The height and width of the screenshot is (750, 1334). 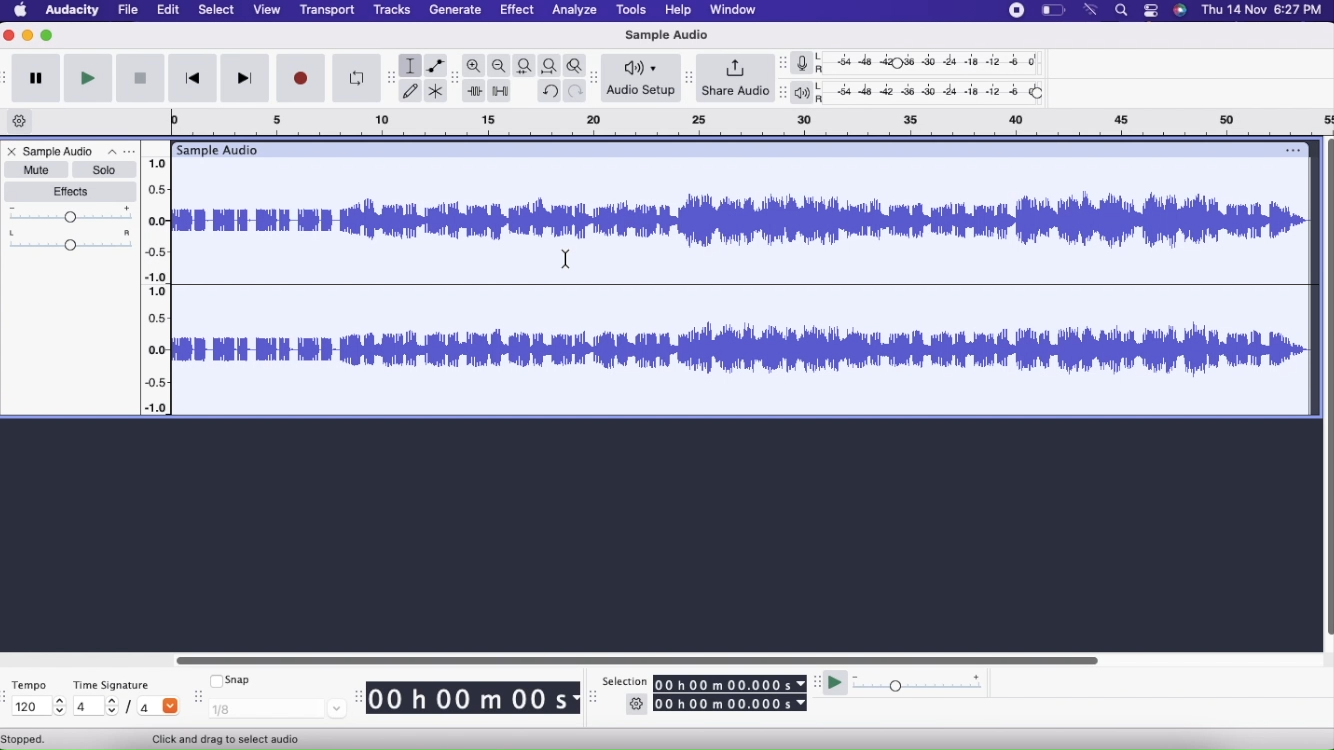 What do you see at coordinates (158, 708) in the screenshot?
I see `4` at bounding box center [158, 708].